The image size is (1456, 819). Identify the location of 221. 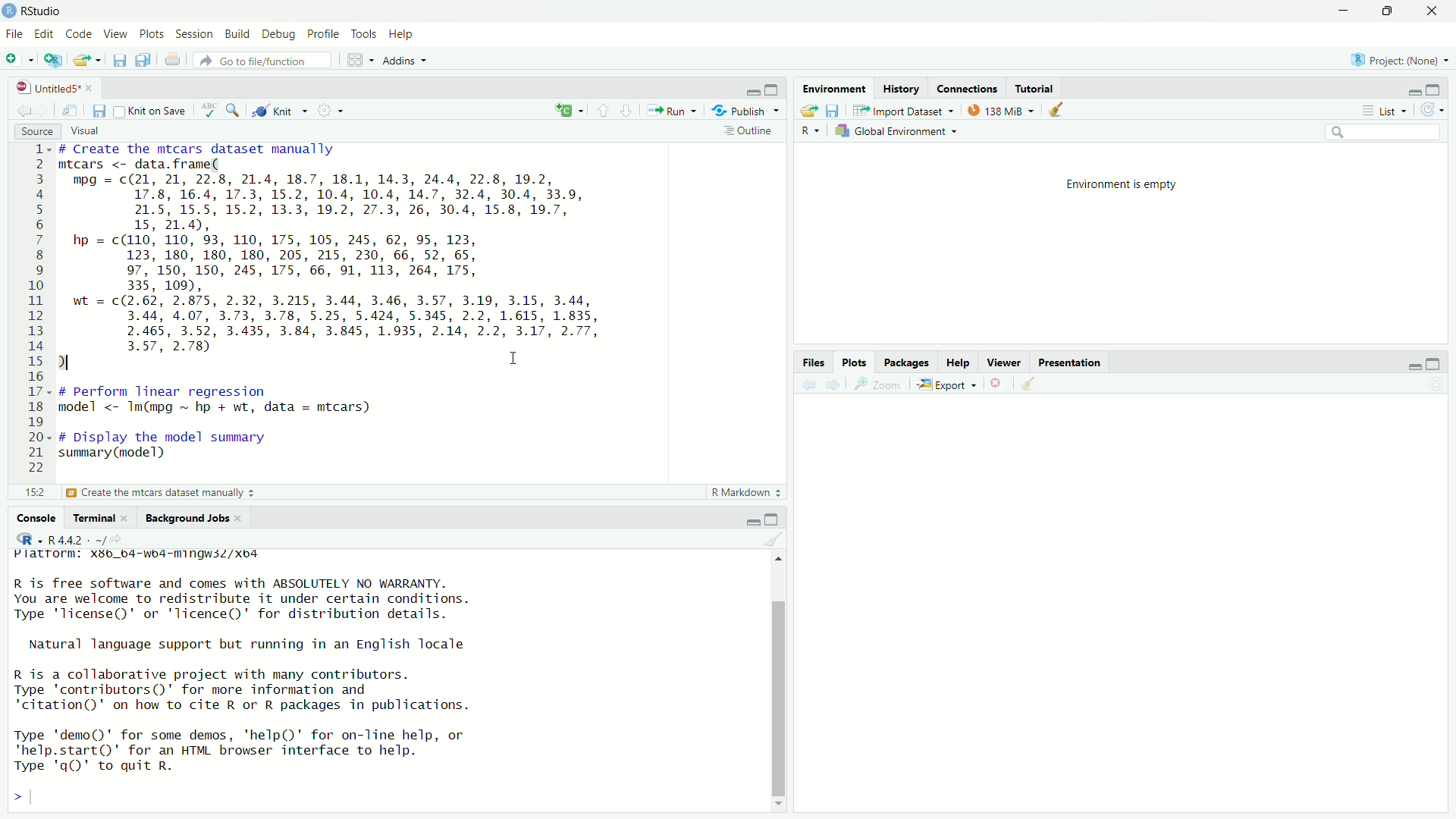
(33, 494).